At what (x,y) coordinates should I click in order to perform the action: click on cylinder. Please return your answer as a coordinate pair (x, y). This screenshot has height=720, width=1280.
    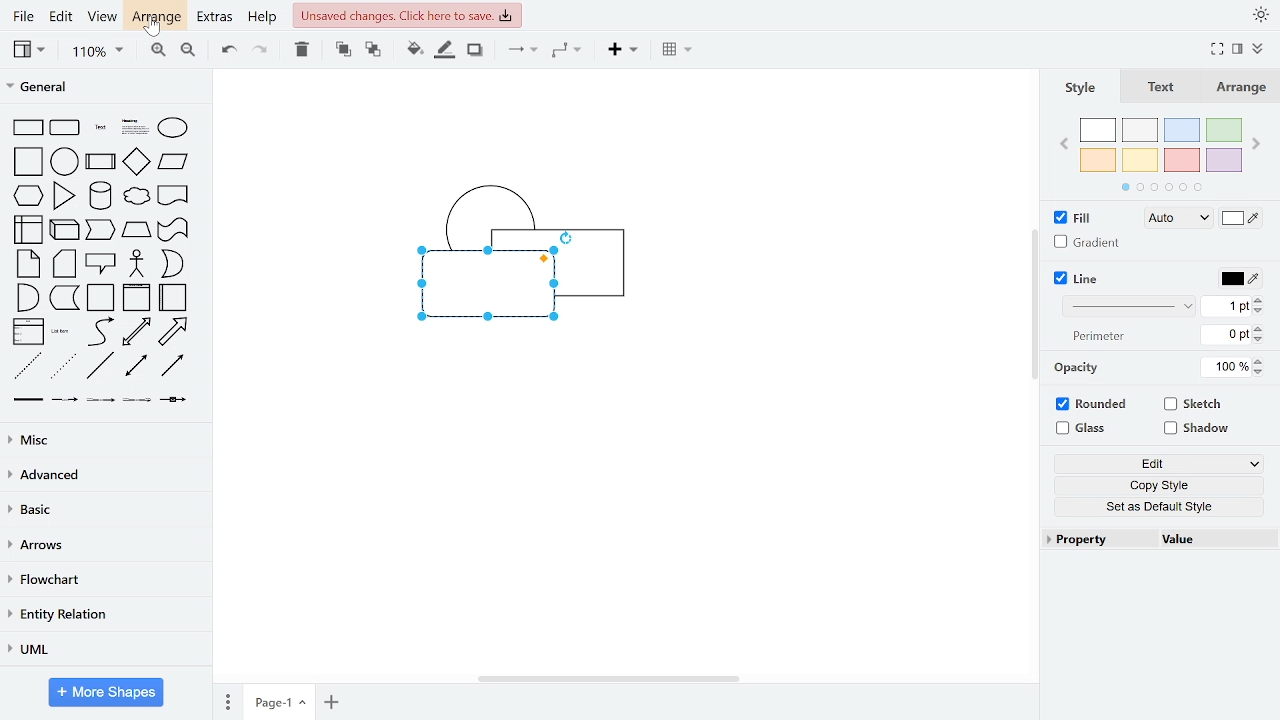
    Looking at the image, I should click on (100, 197).